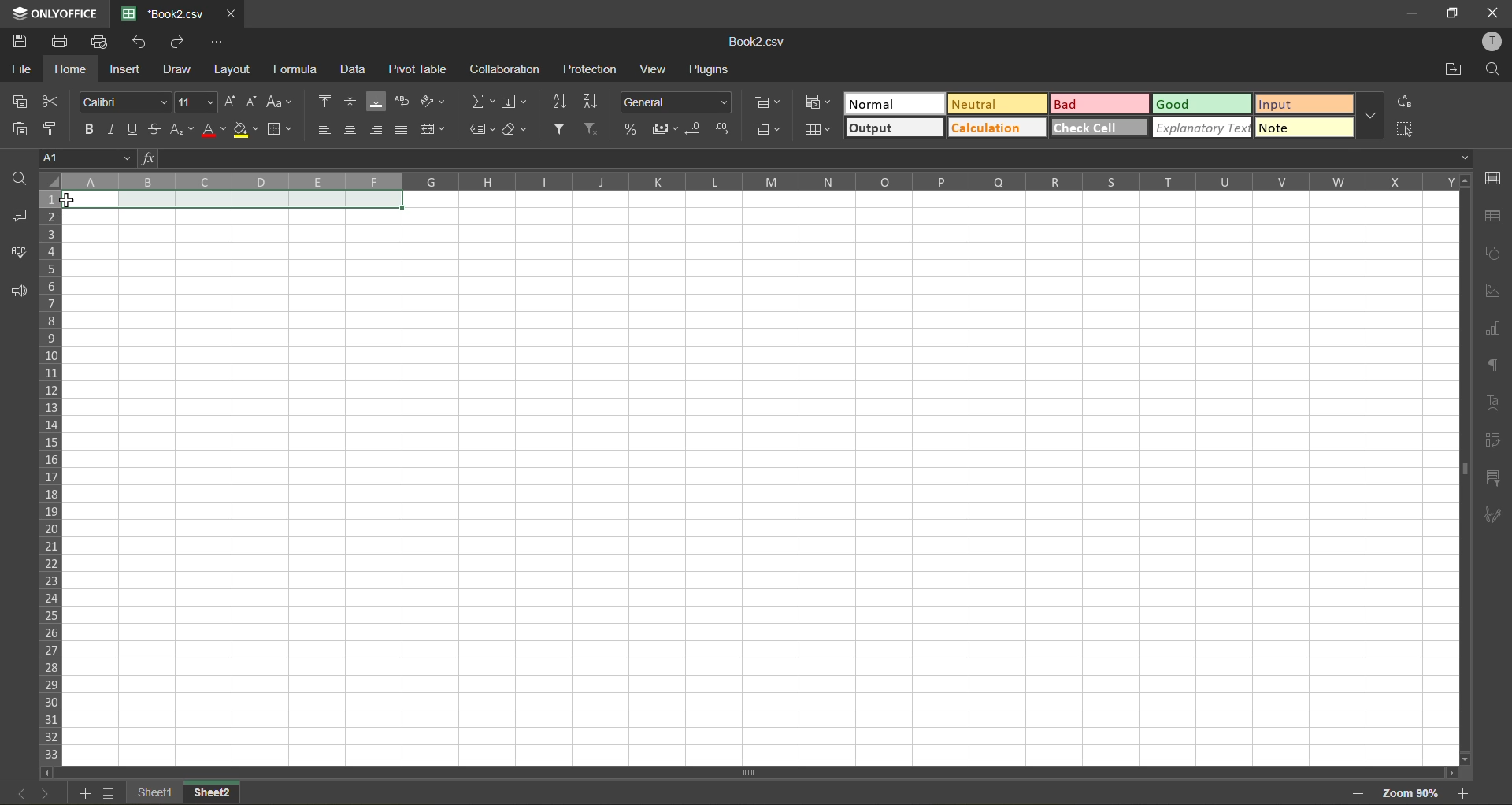 This screenshot has width=1512, height=805. What do you see at coordinates (1495, 217) in the screenshot?
I see `table` at bounding box center [1495, 217].